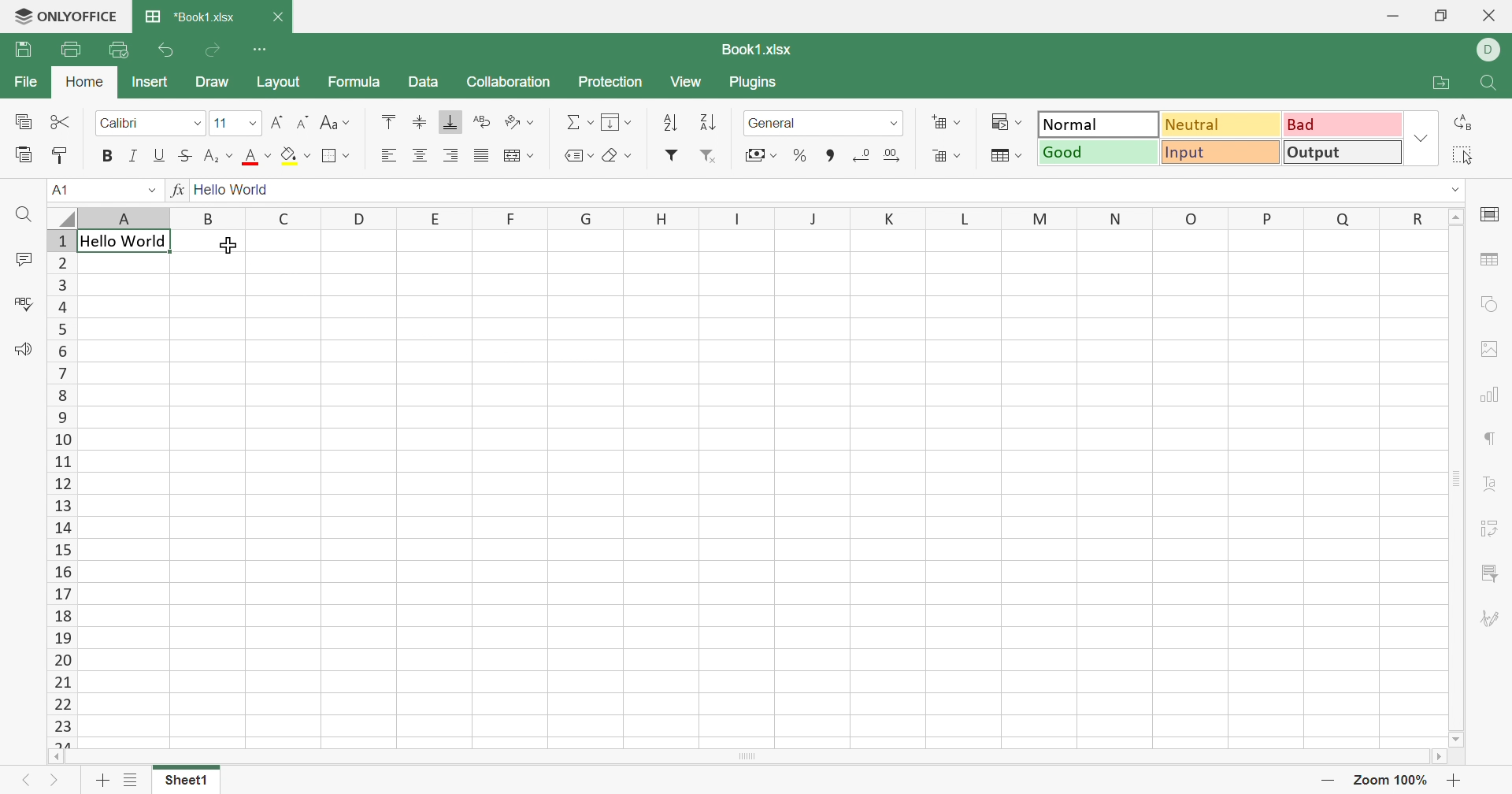 This screenshot has height=794, width=1512. I want to click on Bold, so click(109, 156).